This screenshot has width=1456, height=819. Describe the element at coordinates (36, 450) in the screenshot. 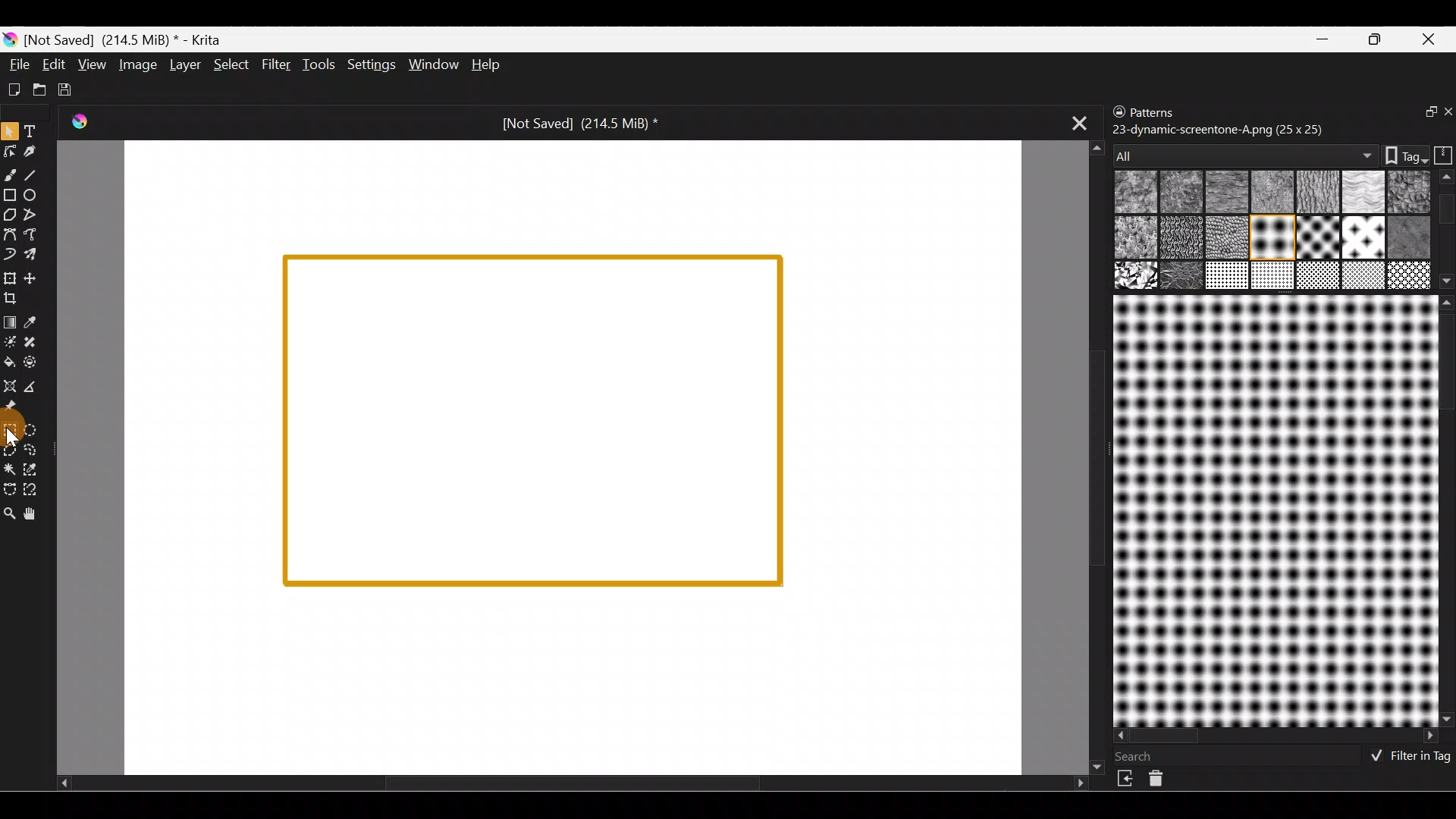

I see `Freehand selection tool` at that location.